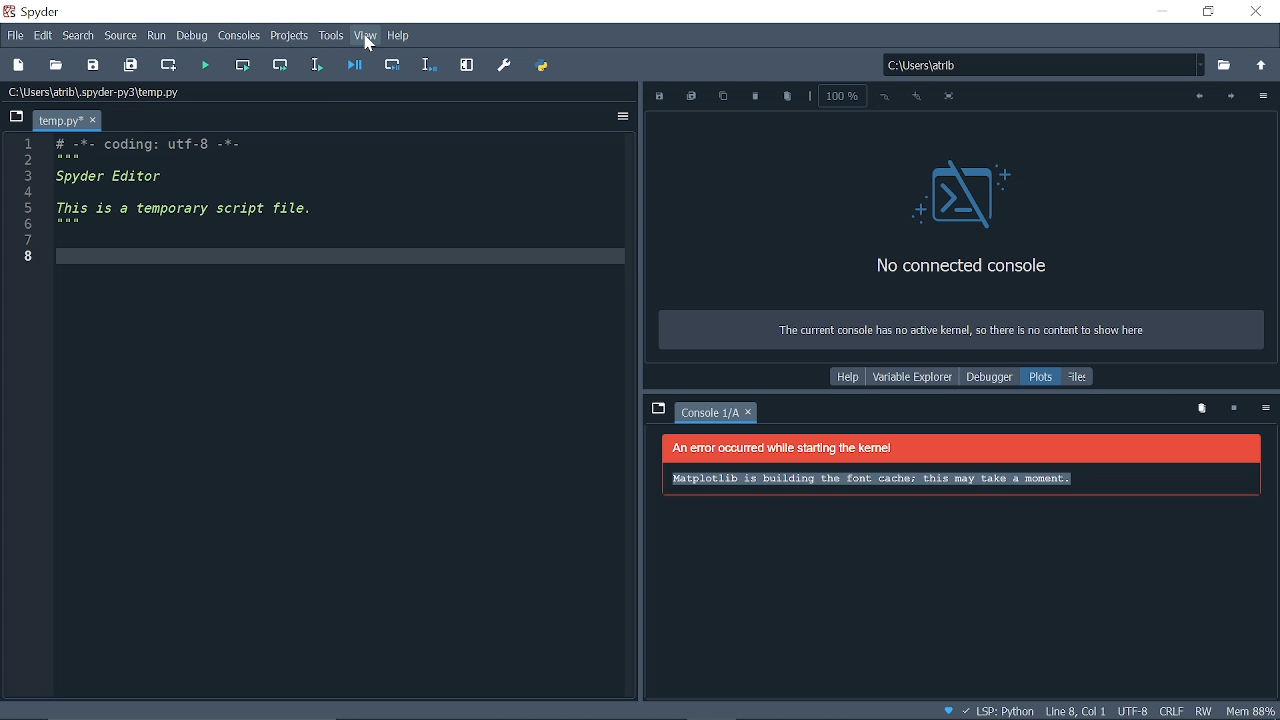  I want to click on View, so click(366, 36).